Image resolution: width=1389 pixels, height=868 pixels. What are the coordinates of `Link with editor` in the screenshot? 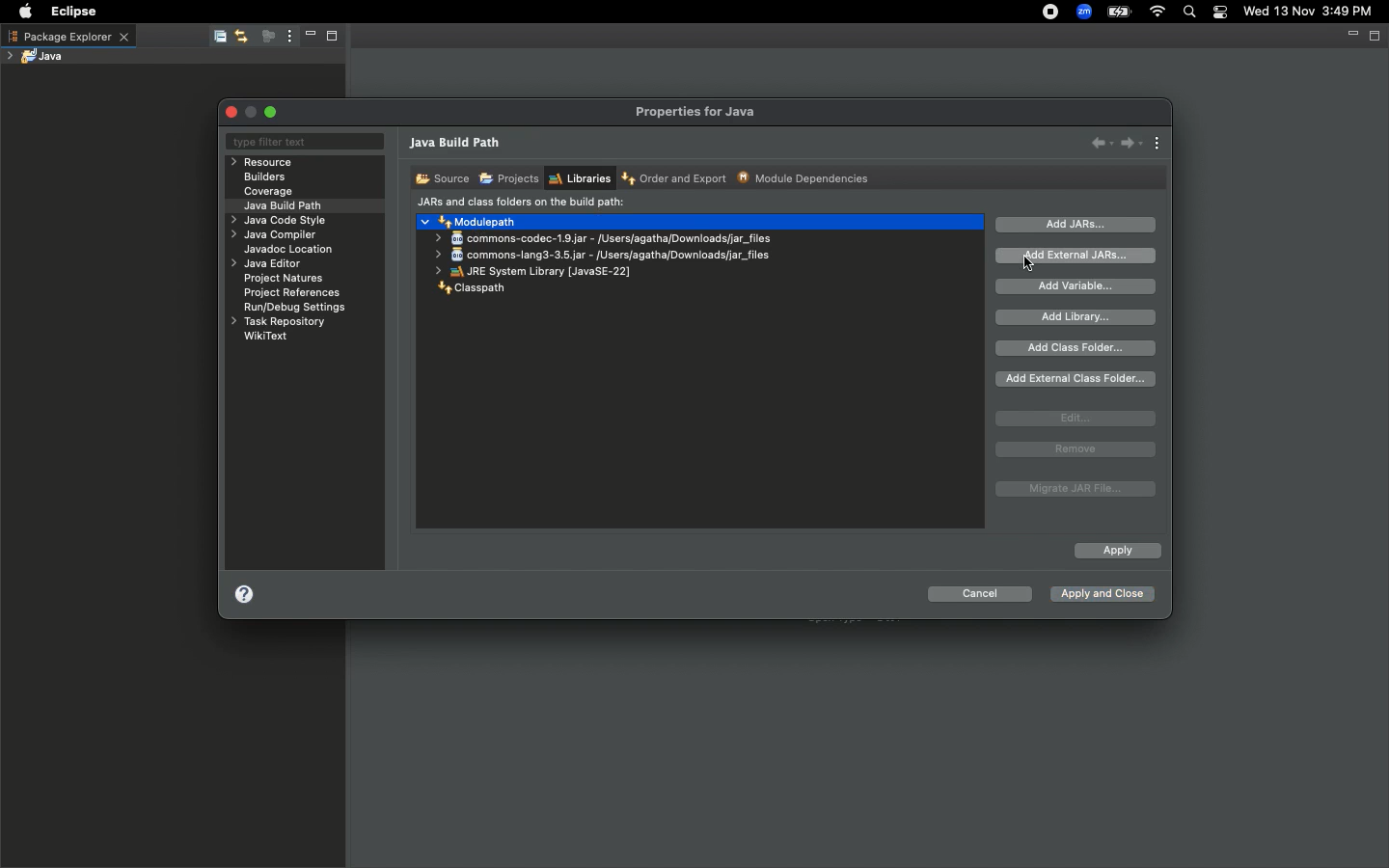 It's located at (242, 36).